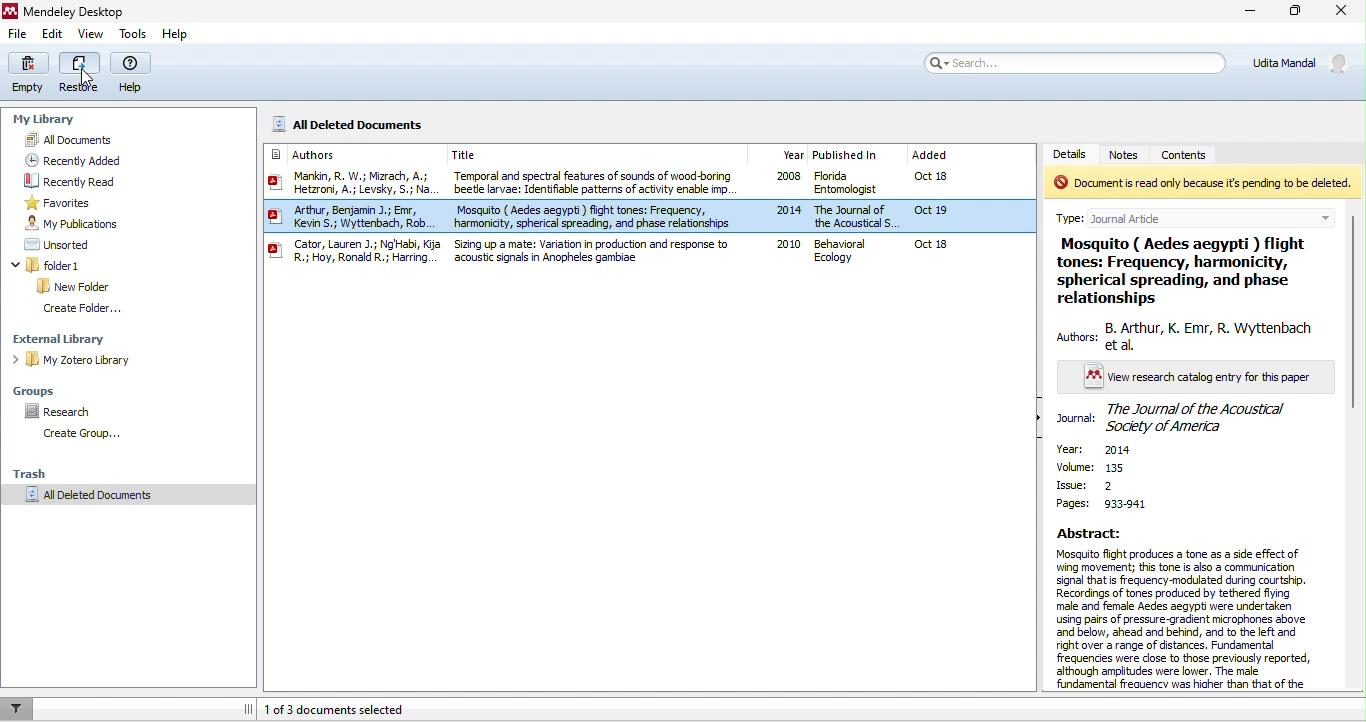 The image size is (1366, 722). Describe the element at coordinates (1184, 609) in the screenshot. I see `Abstract:

Mosquito fight produces a tone as a side effect of
wing movement; ths tone is also a communication
sina that is frequency-modulated during courtship.
Recordings of tones produced by tethered flying
male and female Aedes aegypti were undertaken
using pairs of pressure gradient microphones above
and below, ahead and behind, and to the left and
right over a range of distances. Fundamental
frequencies were dose to those previously reported,
although amplitudes vere lower. The male
fundamental frequency was hicher than that of the.` at that location.